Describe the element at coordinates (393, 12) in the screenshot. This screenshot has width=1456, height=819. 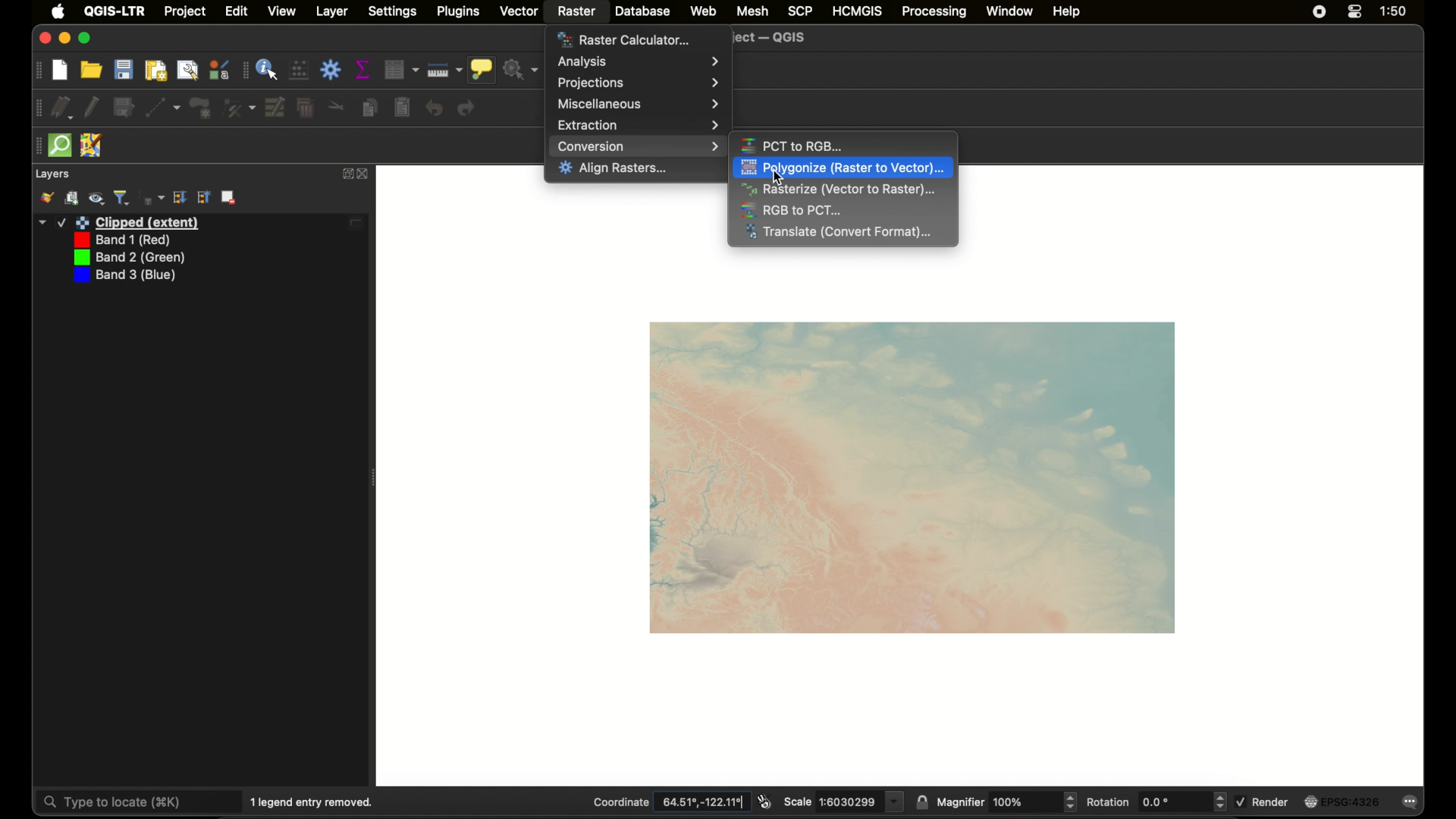
I see `settings` at that location.